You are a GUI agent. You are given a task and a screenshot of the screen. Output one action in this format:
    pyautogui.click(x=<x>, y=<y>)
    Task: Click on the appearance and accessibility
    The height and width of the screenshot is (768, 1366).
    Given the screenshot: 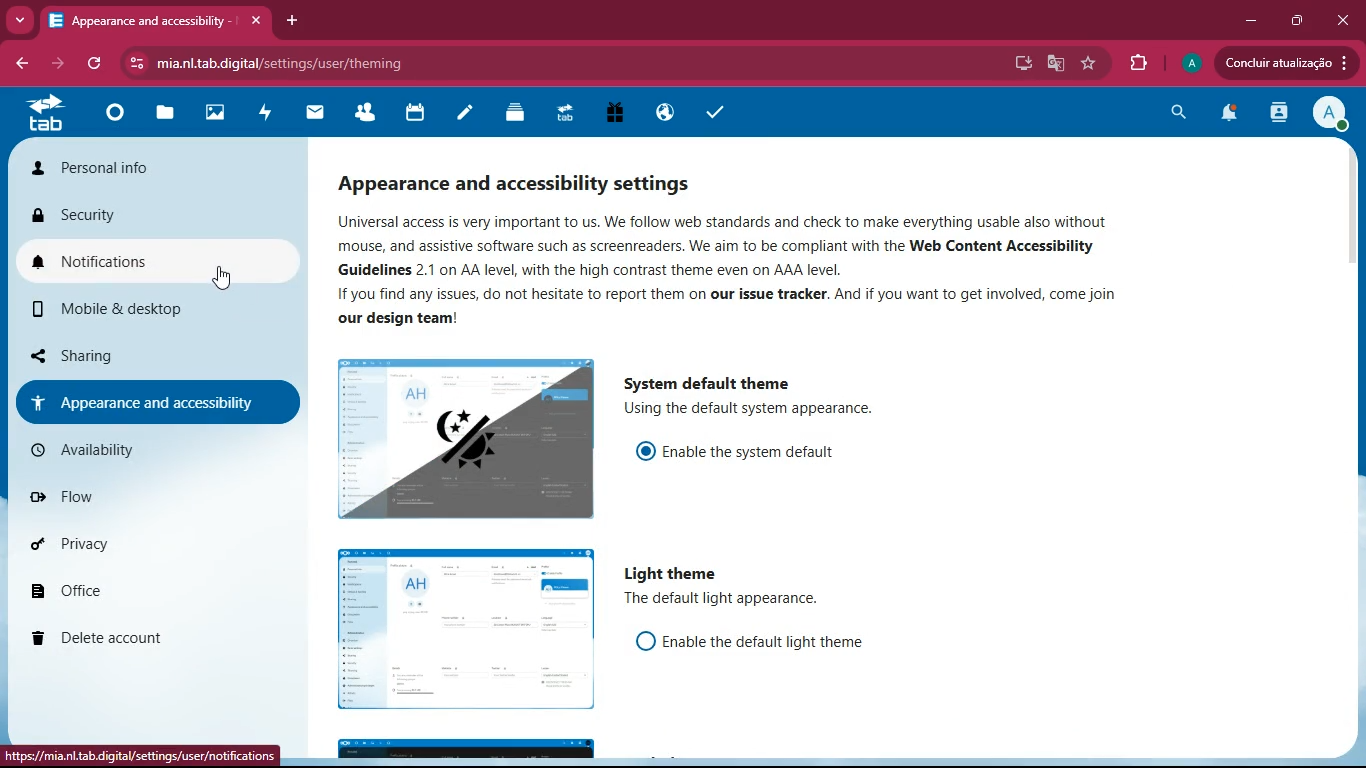 What is the action you would take?
    pyautogui.click(x=156, y=401)
    